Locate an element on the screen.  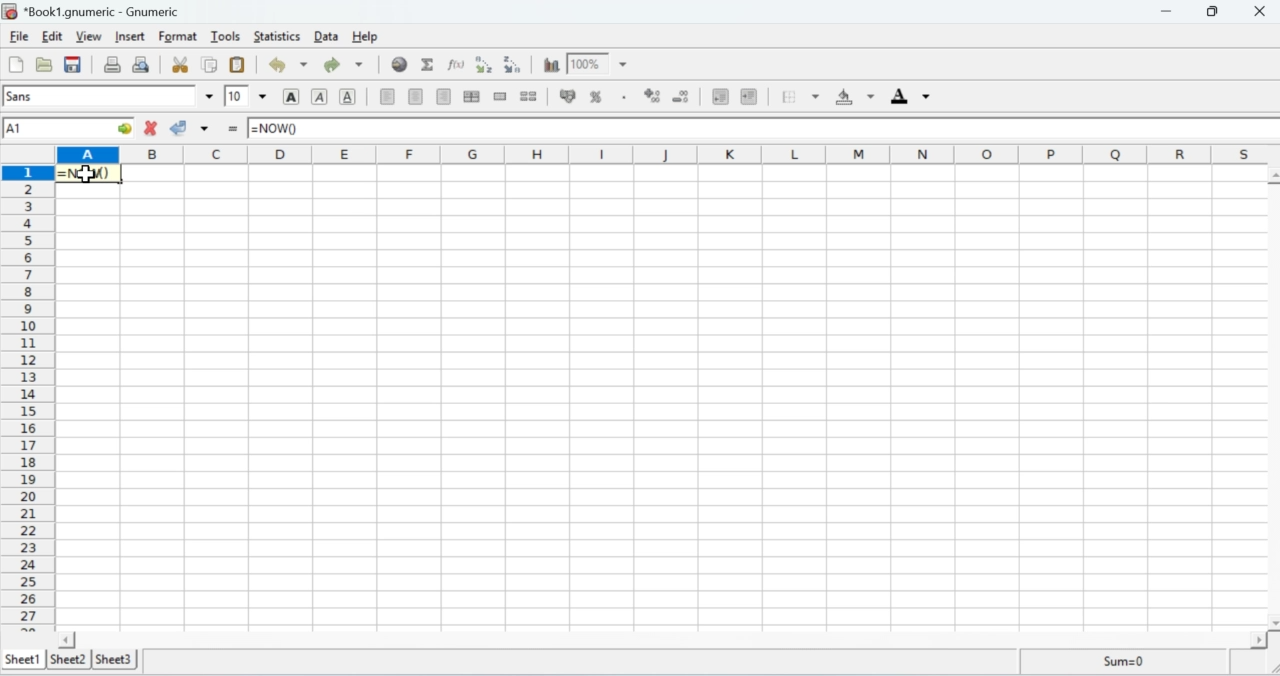
Cells is located at coordinates (688, 397).